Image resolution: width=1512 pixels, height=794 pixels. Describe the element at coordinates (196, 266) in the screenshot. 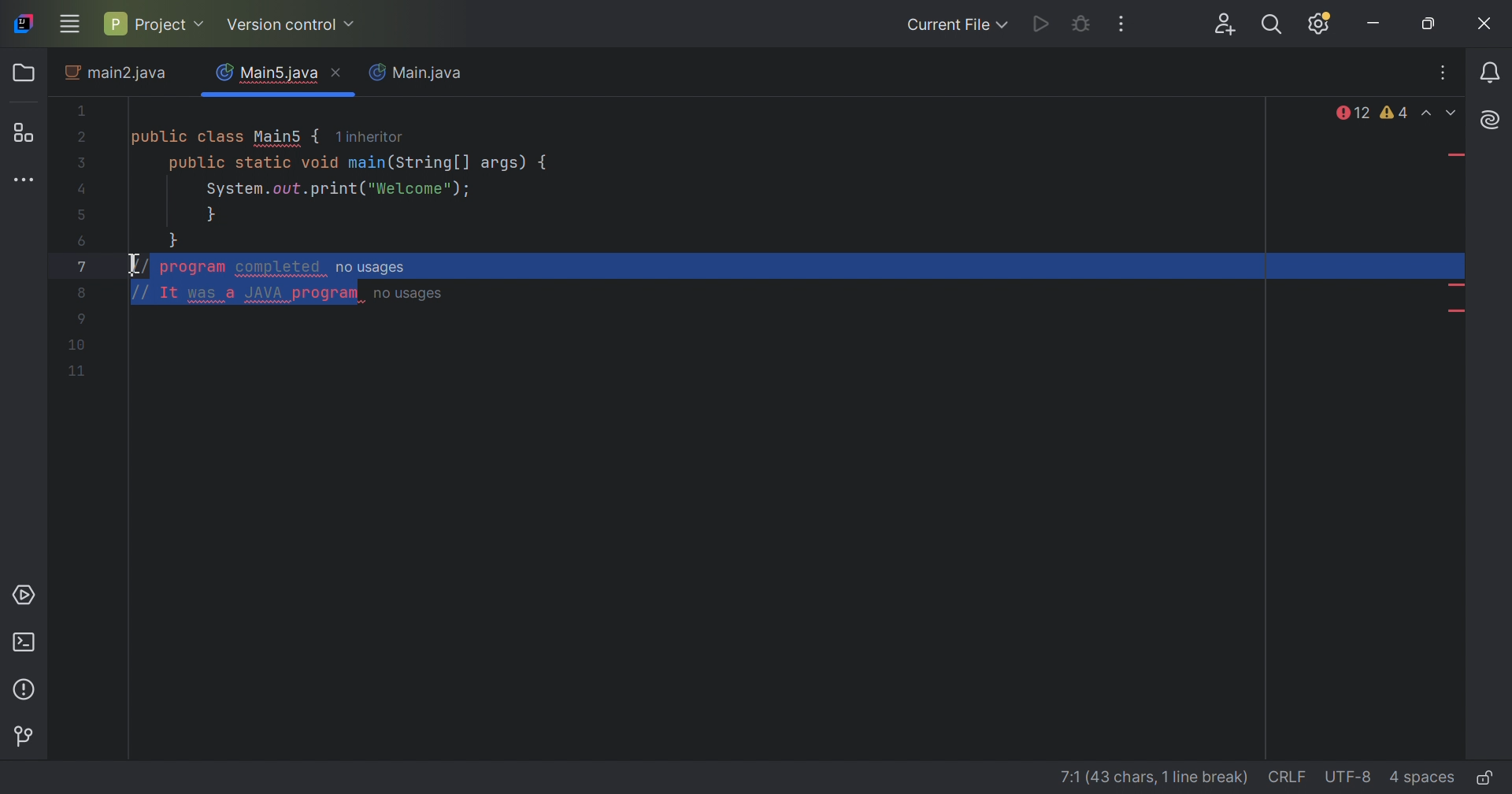

I see `// program completed (comment off)` at that location.